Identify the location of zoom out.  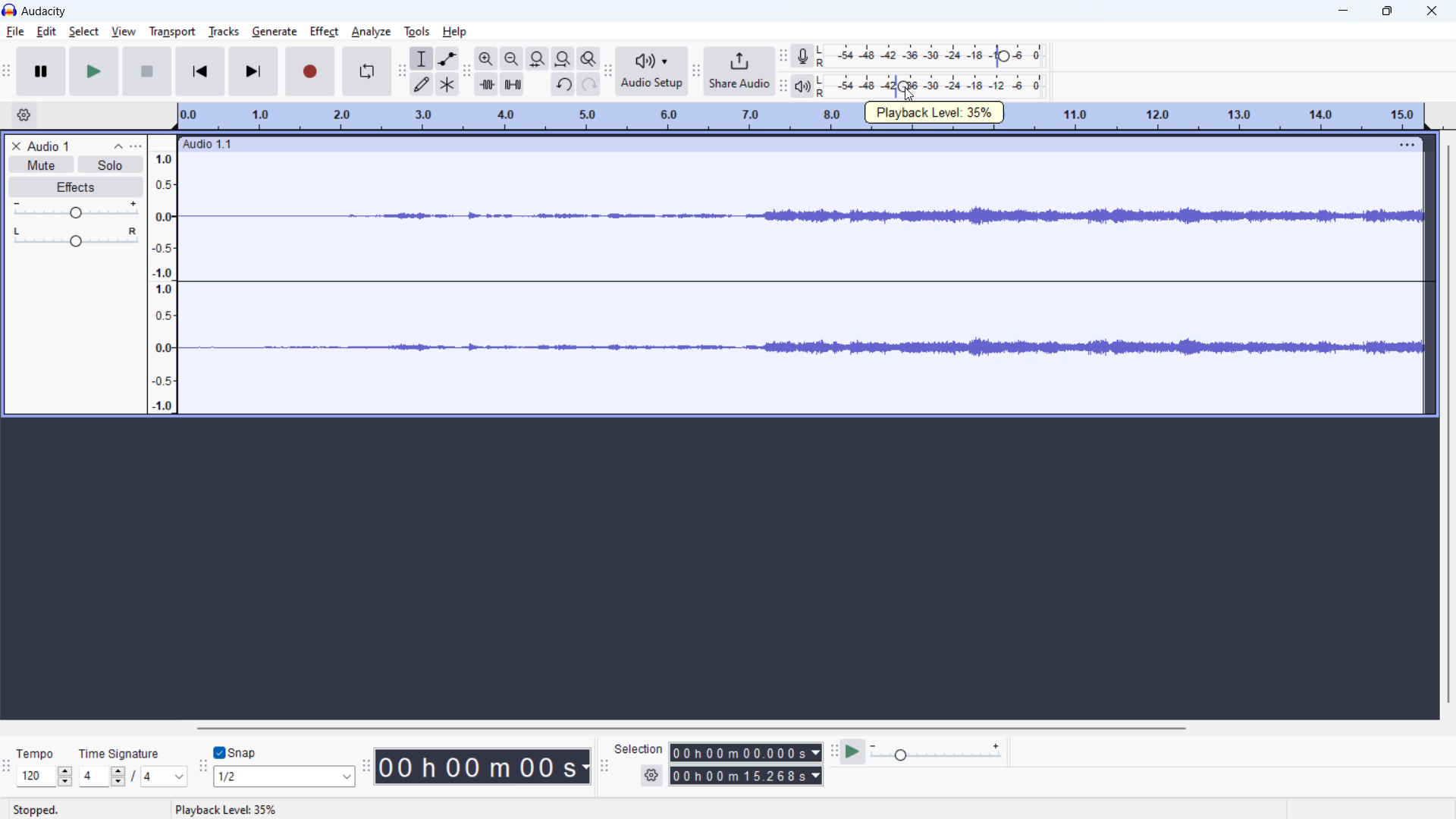
(512, 58).